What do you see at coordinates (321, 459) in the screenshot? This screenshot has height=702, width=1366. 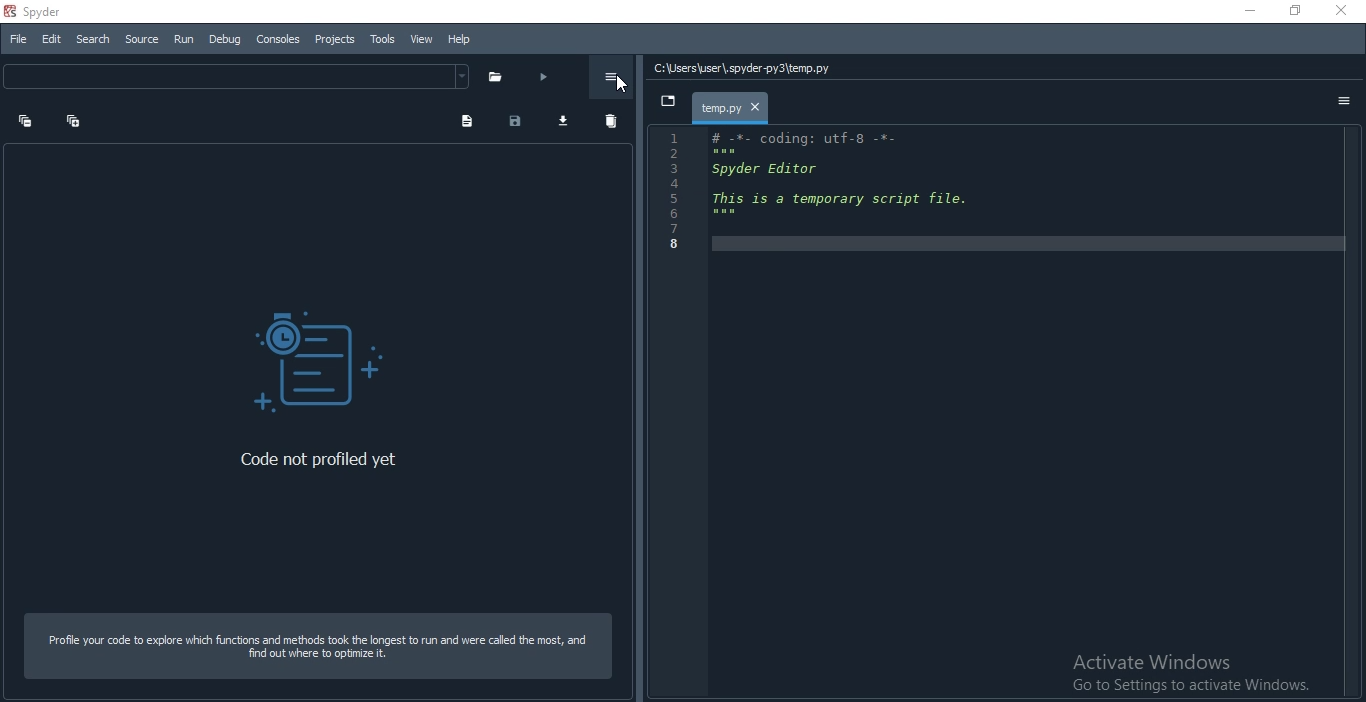 I see `Code not profiled yet` at bounding box center [321, 459].